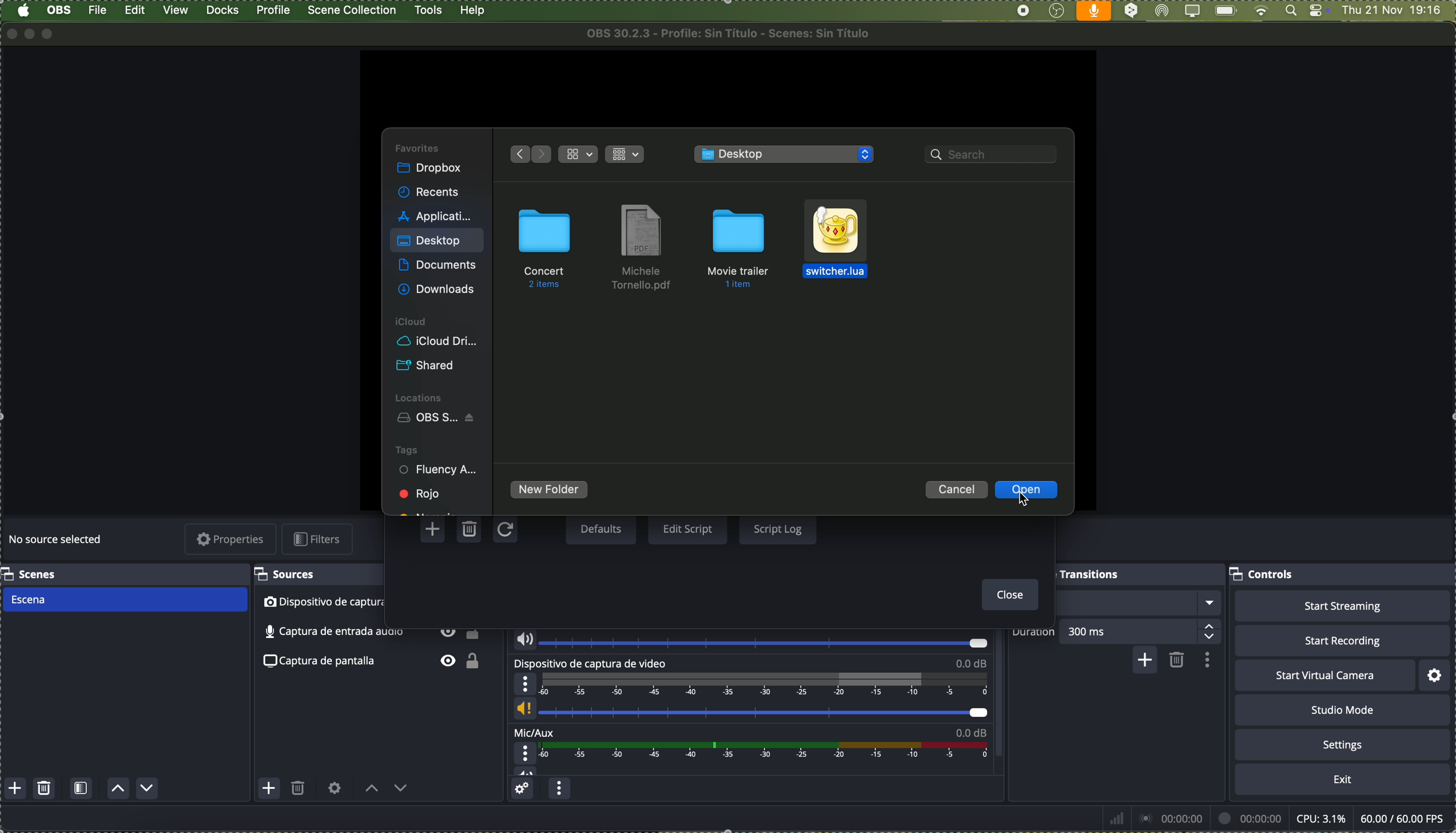 Image resolution: width=1456 pixels, height=833 pixels. Describe the element at coordinates (1139, 603) in the screenshot. I see `fade` at that location.